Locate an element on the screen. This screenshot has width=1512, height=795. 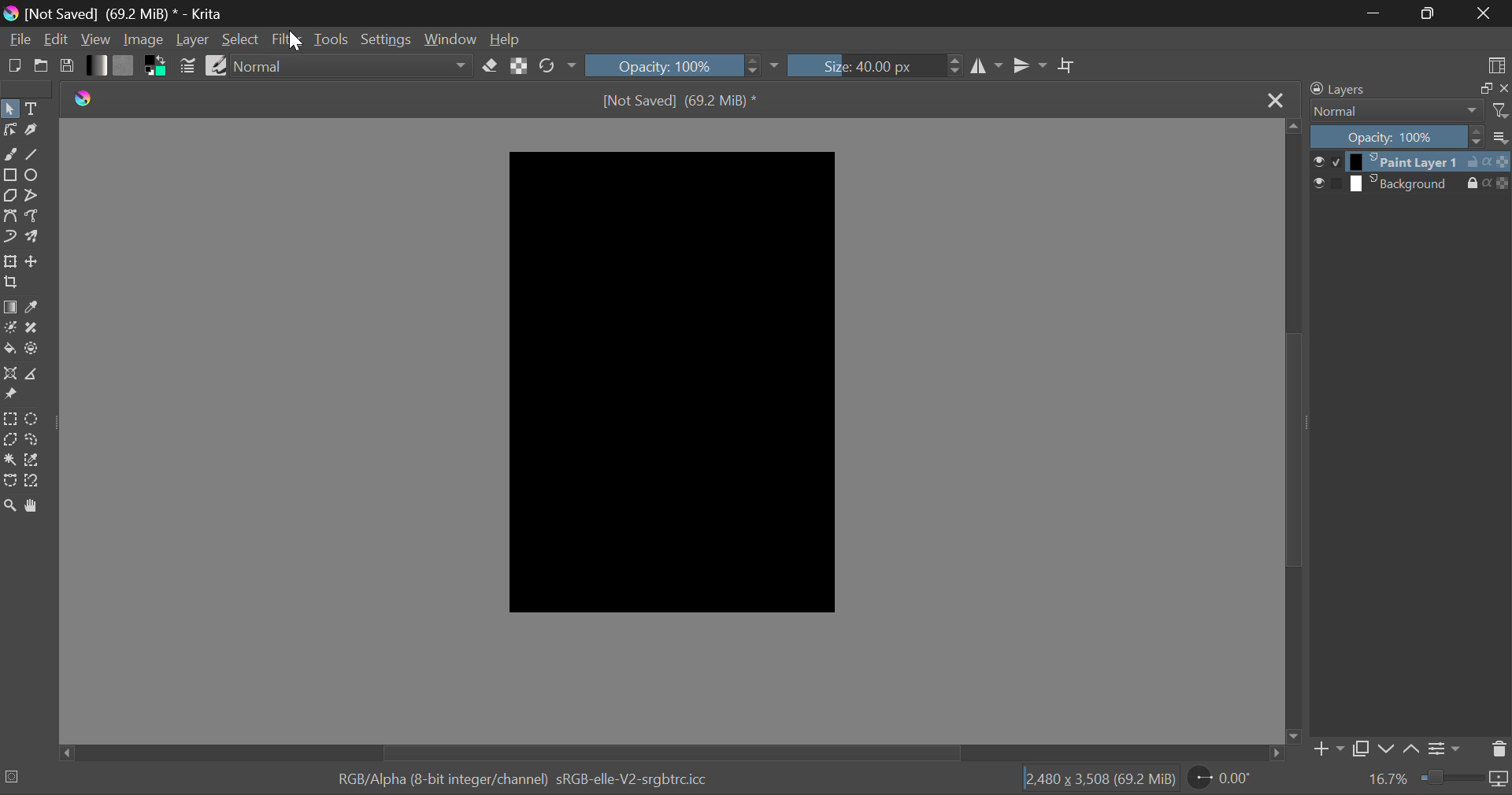
Copy Layer is located at coordinates (1359, 747).